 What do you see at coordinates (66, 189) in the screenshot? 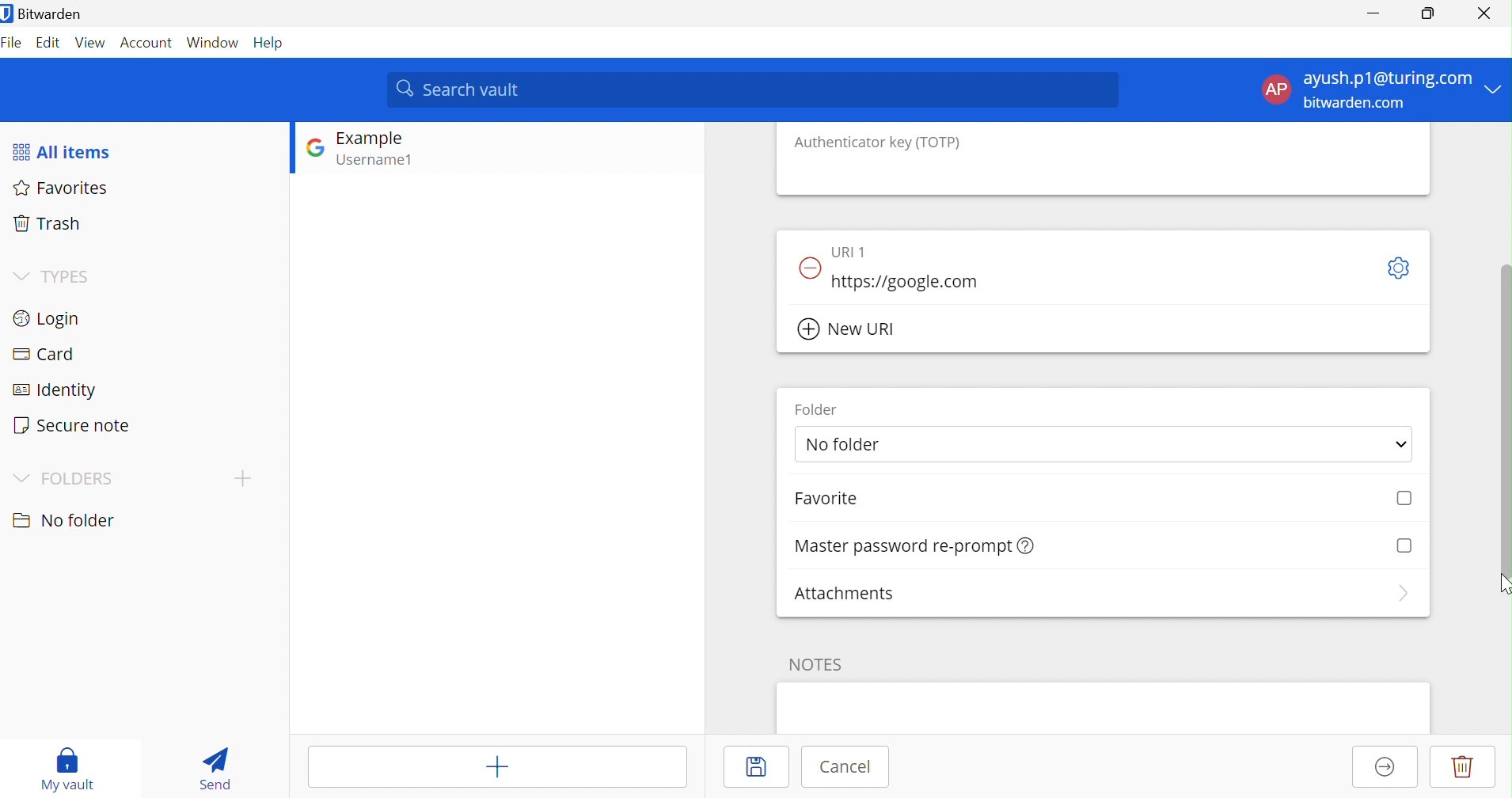
I see `Favorites` at bounding box center [66, 189].